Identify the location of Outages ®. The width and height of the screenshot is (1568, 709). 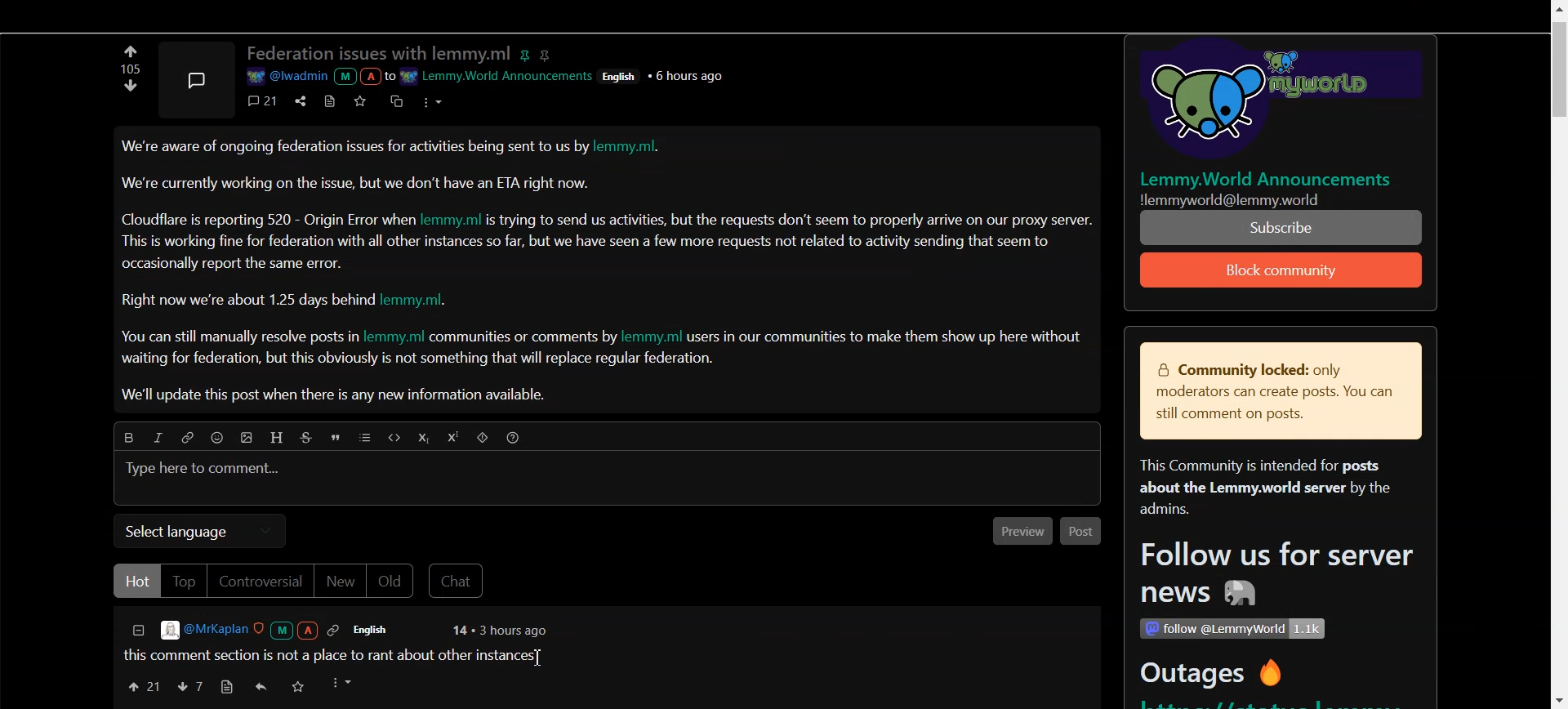
(1213, 676).